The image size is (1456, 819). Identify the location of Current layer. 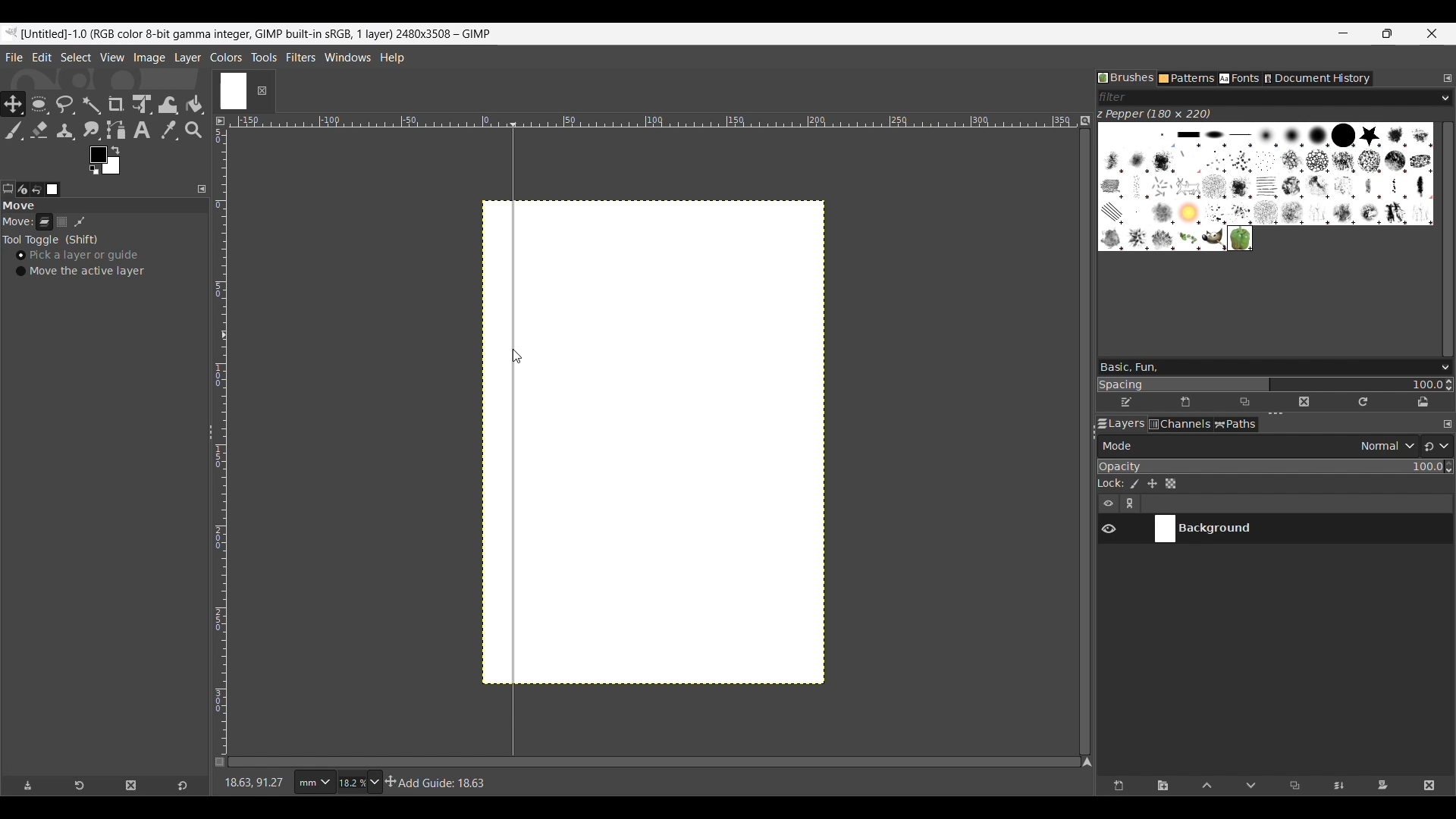
(1286, 529).